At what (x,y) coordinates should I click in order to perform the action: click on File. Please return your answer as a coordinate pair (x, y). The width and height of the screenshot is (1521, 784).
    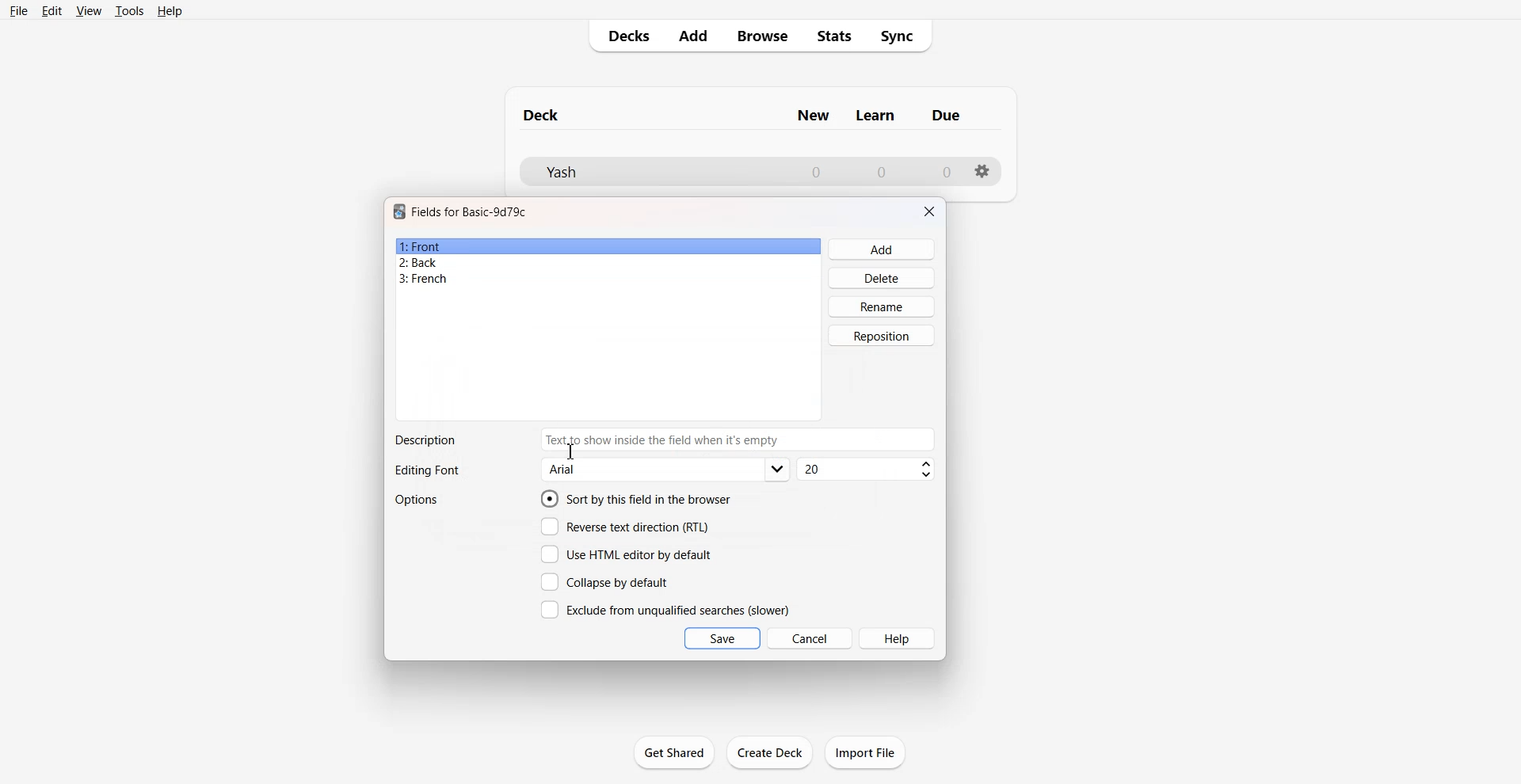
    Looking at the image, I should click on (17, 10).